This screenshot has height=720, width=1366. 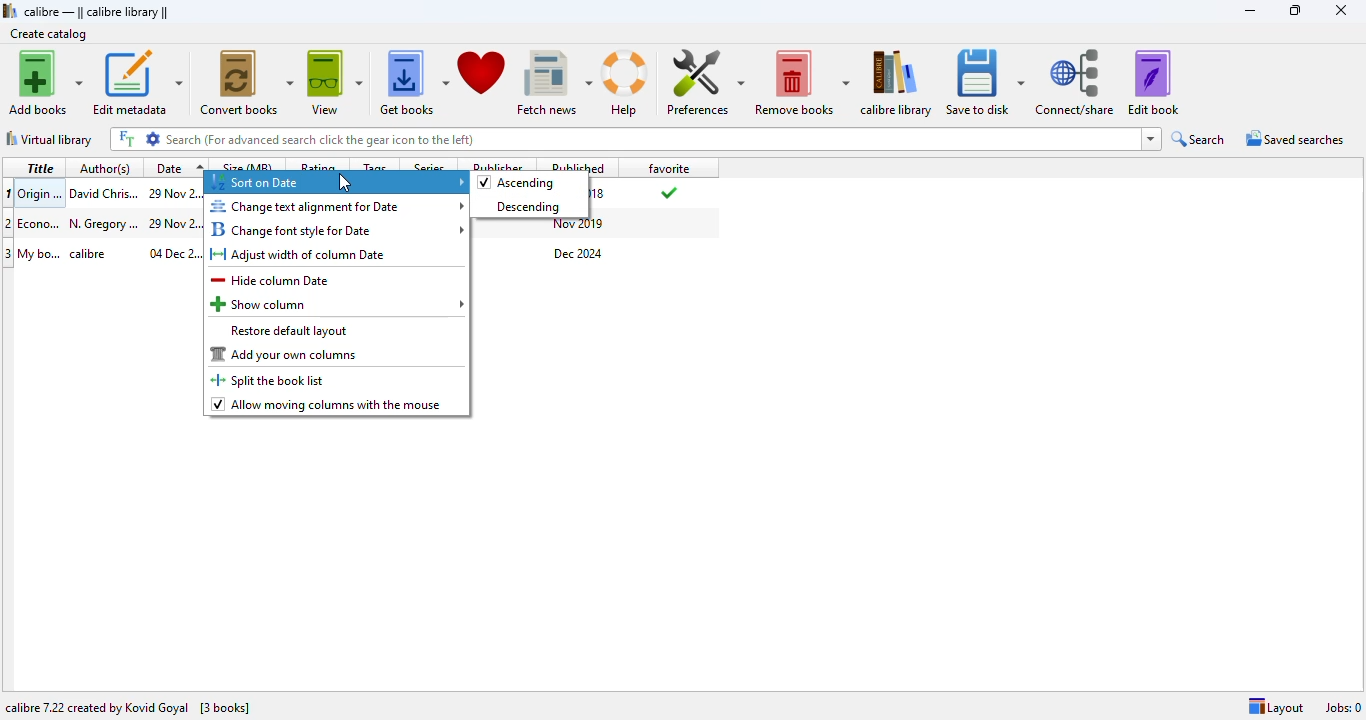 What do you see at coordinates (1151, 139) in the screenshot?
I see `dropdown` at bounding box center [1151, 139].